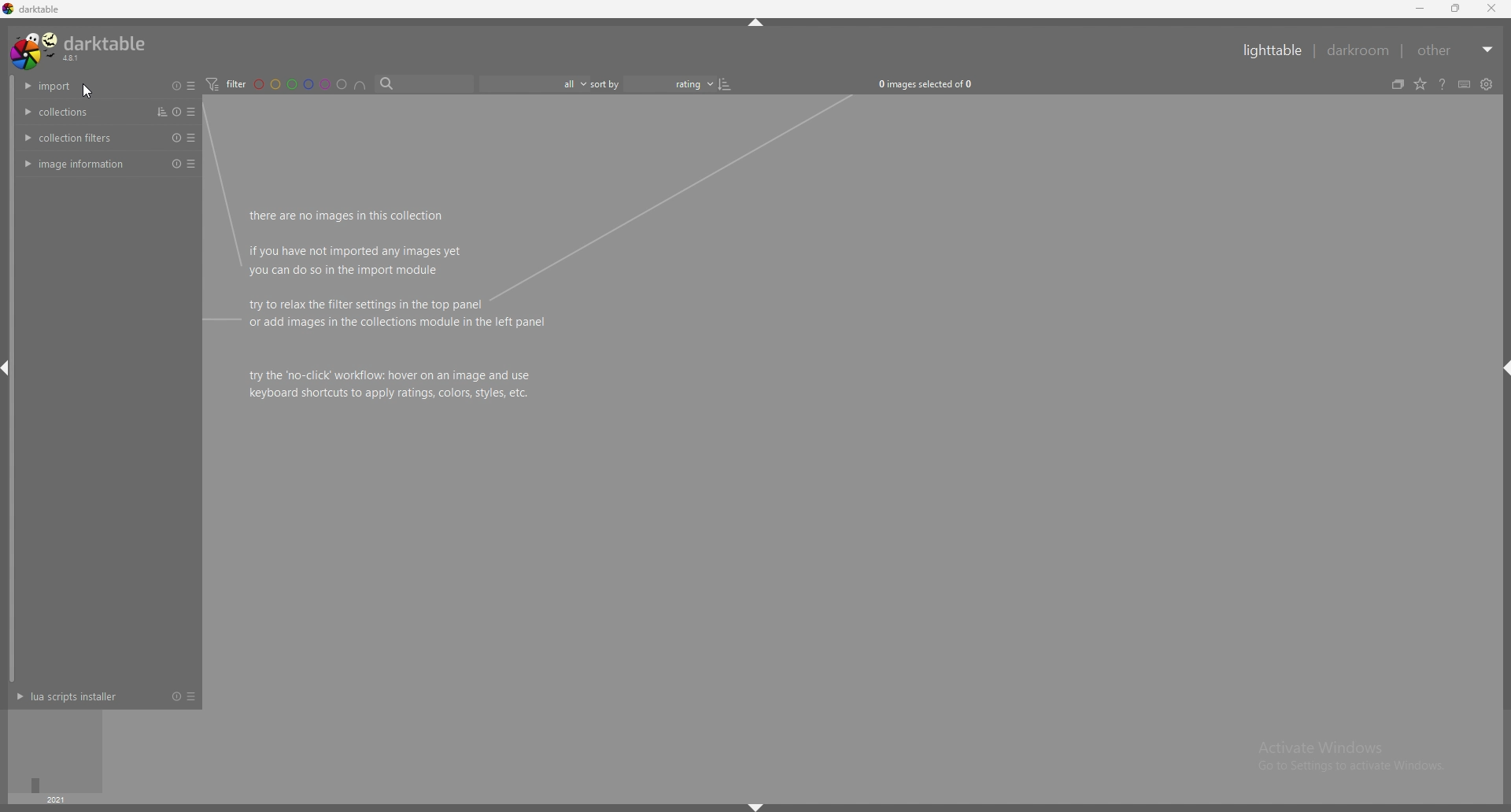 The image size is (1511, 812). Describe the element at coordinates (1457, 9) in the screenshot. I see `maximize` at that location.